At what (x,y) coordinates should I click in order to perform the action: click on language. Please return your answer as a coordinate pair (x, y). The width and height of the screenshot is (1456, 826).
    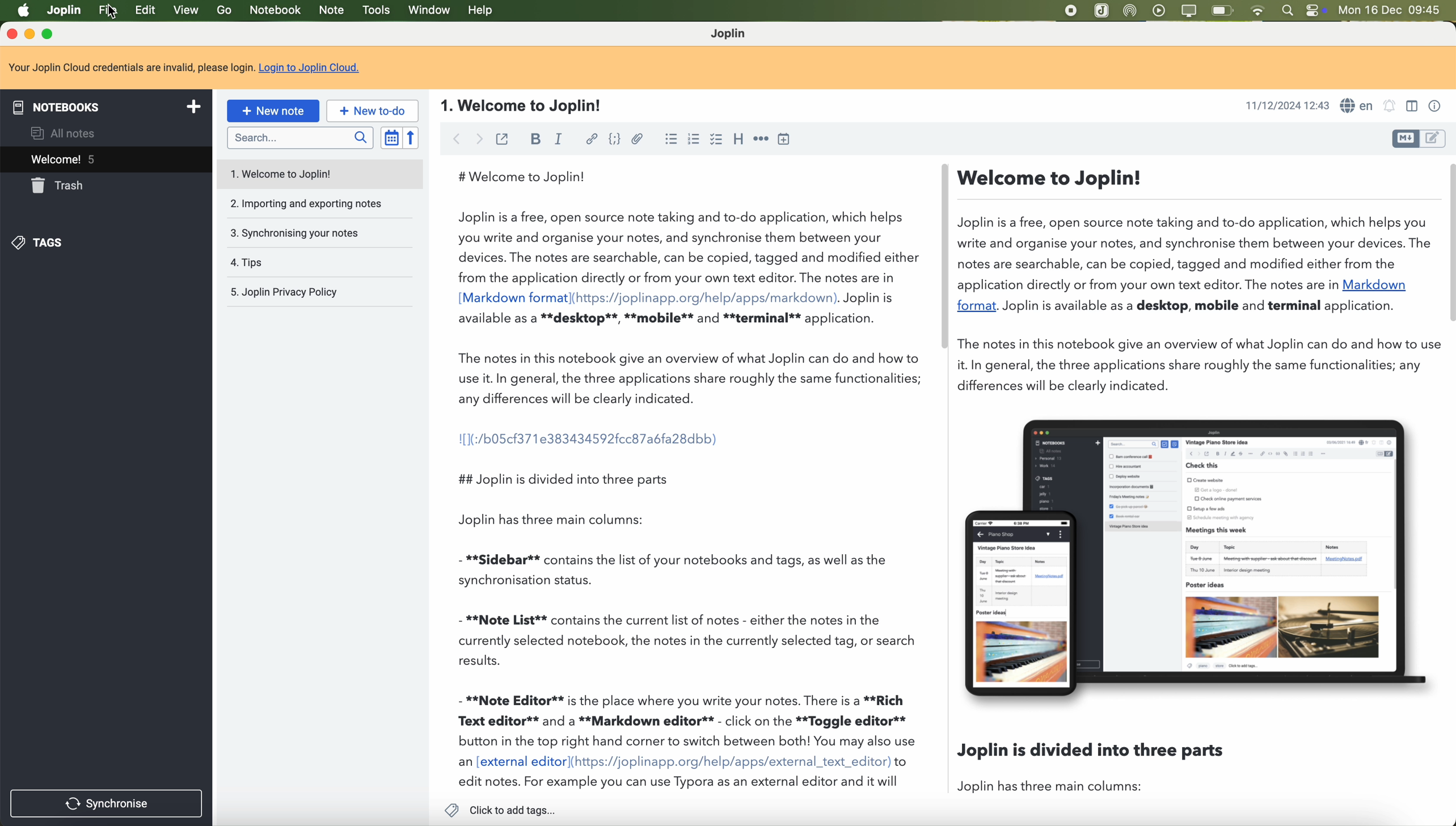
    Looking at the image, I should click on (1358, 106).